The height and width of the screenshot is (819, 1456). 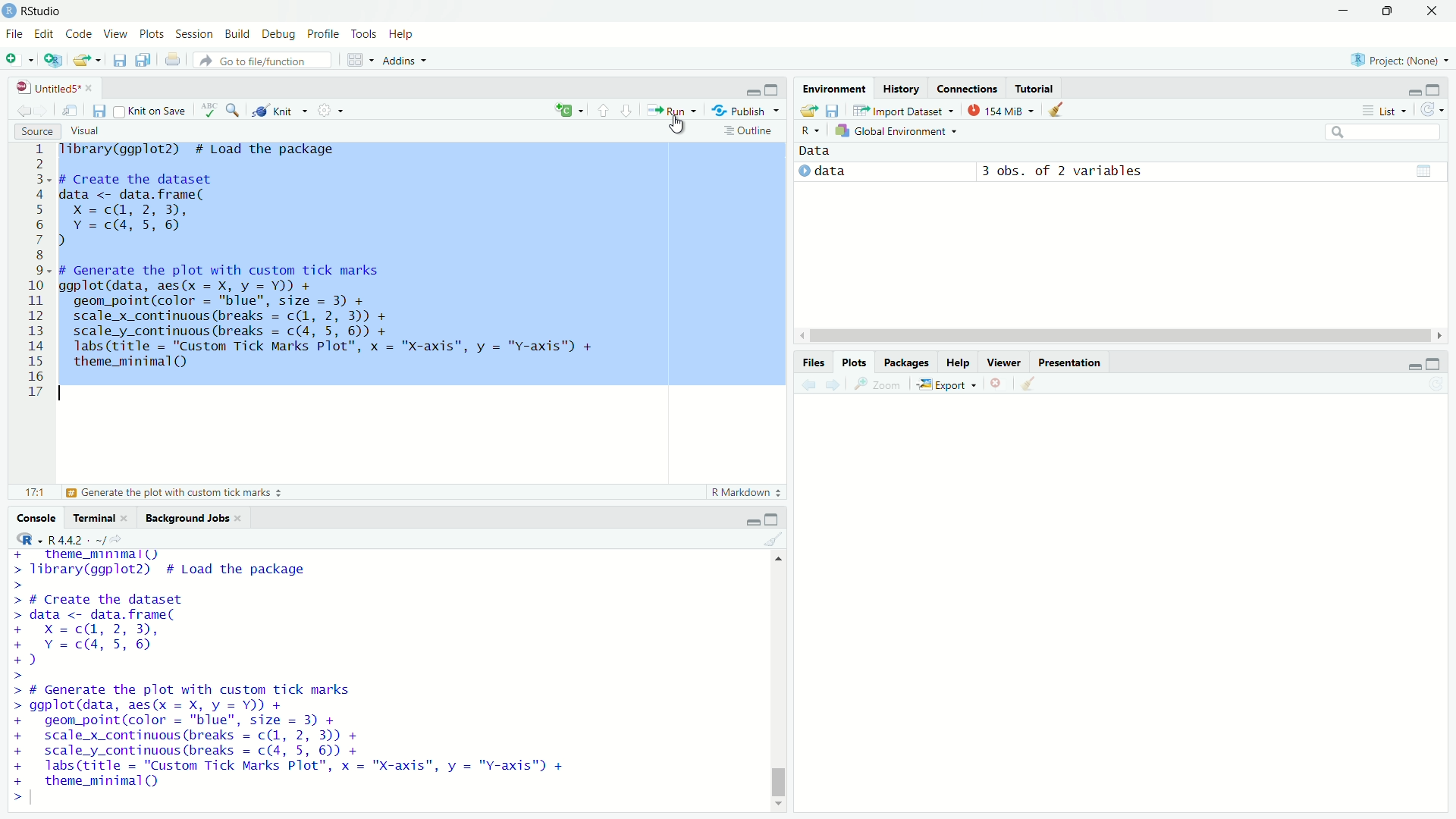 What do you see at coordinates (780, 805) in the screenshot?
I see `move down` at bounding box center [780, 805].